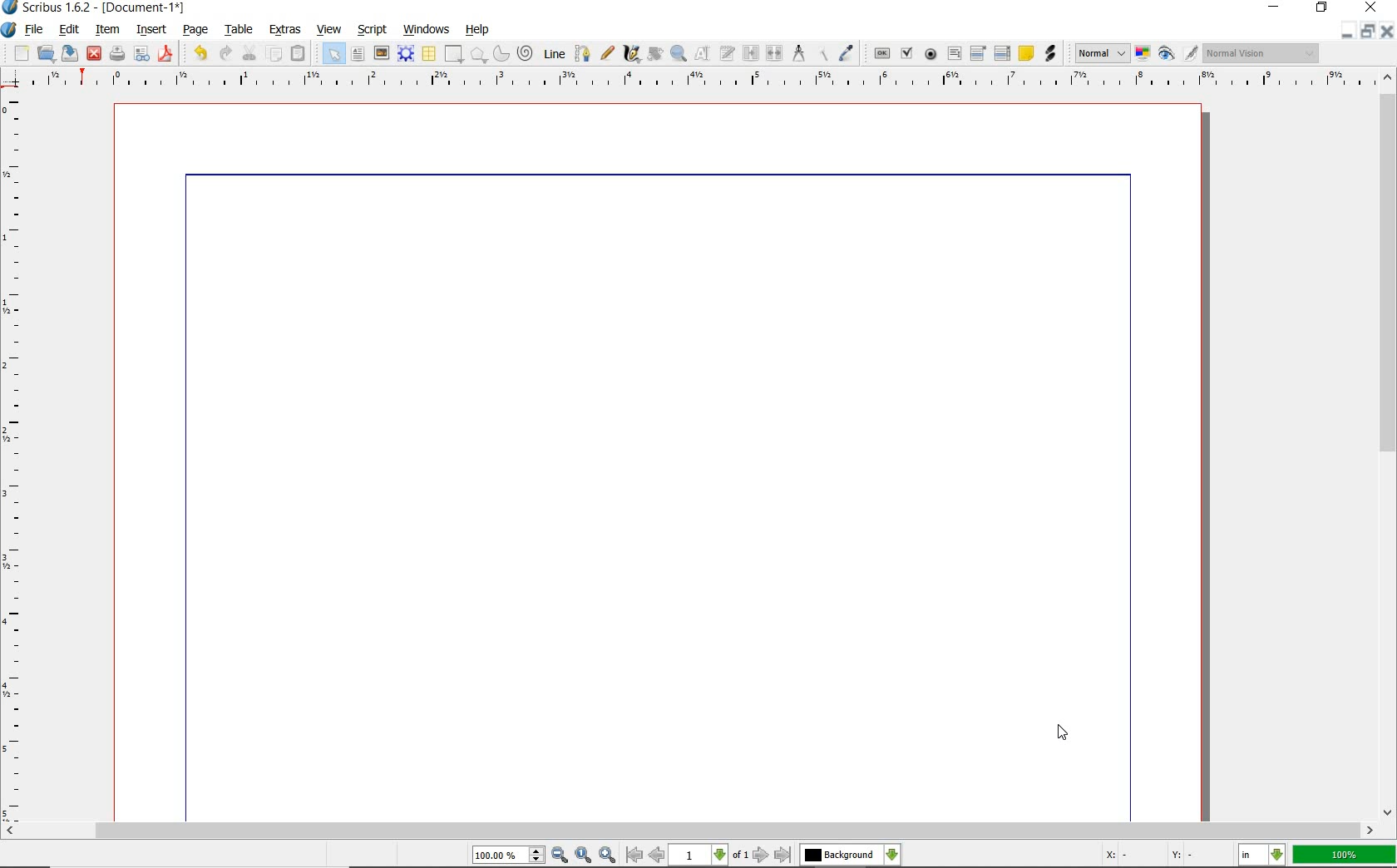  Describe the element at coordinates (47, 53) in the screenshot. I see `open` at that location.